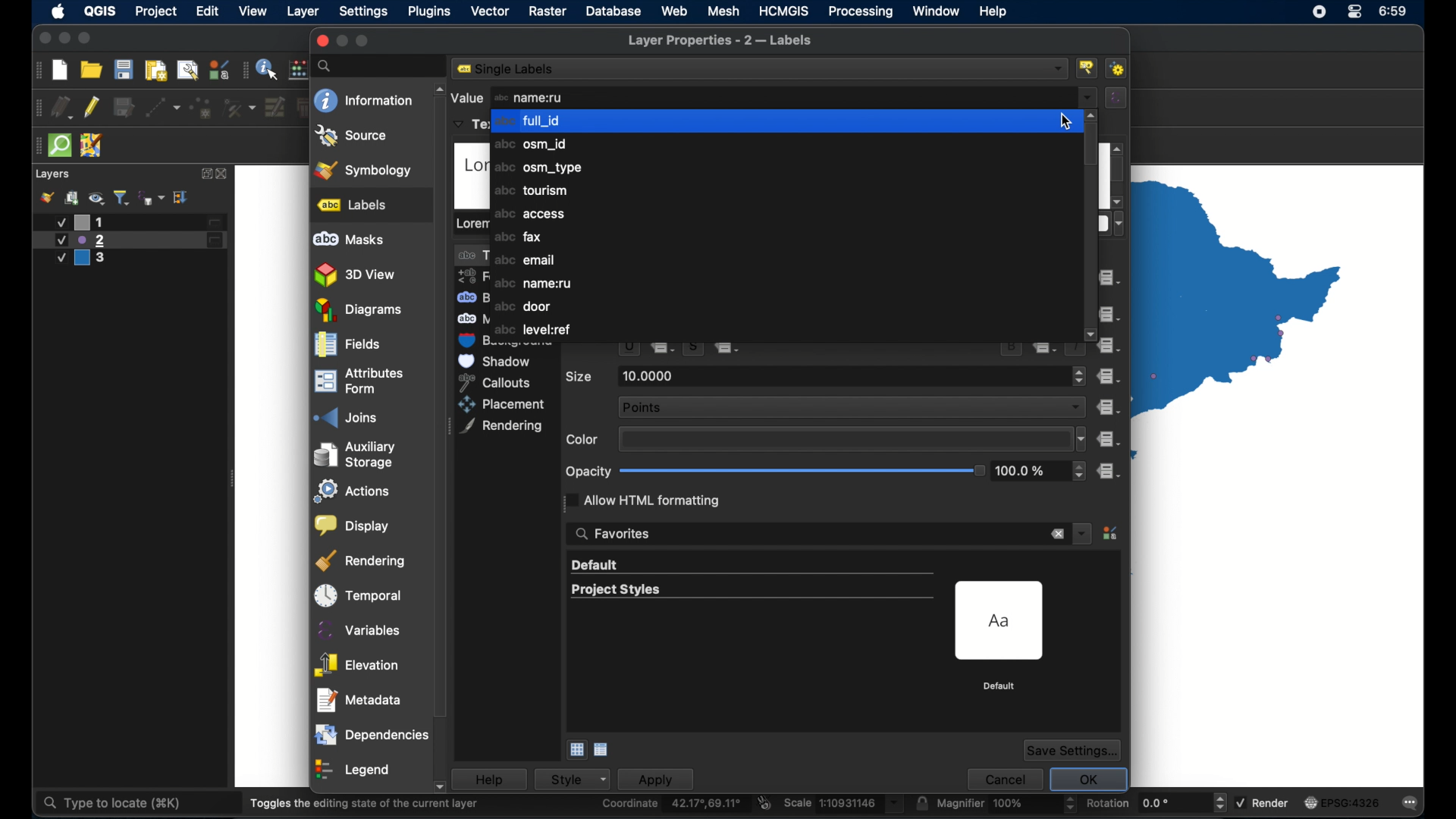 The width and height of the screenshot is (1456, 819). What do you see at coordinates (1056, 535) in the screenshot?
I see `remove` at bounding box center [1056, 535].